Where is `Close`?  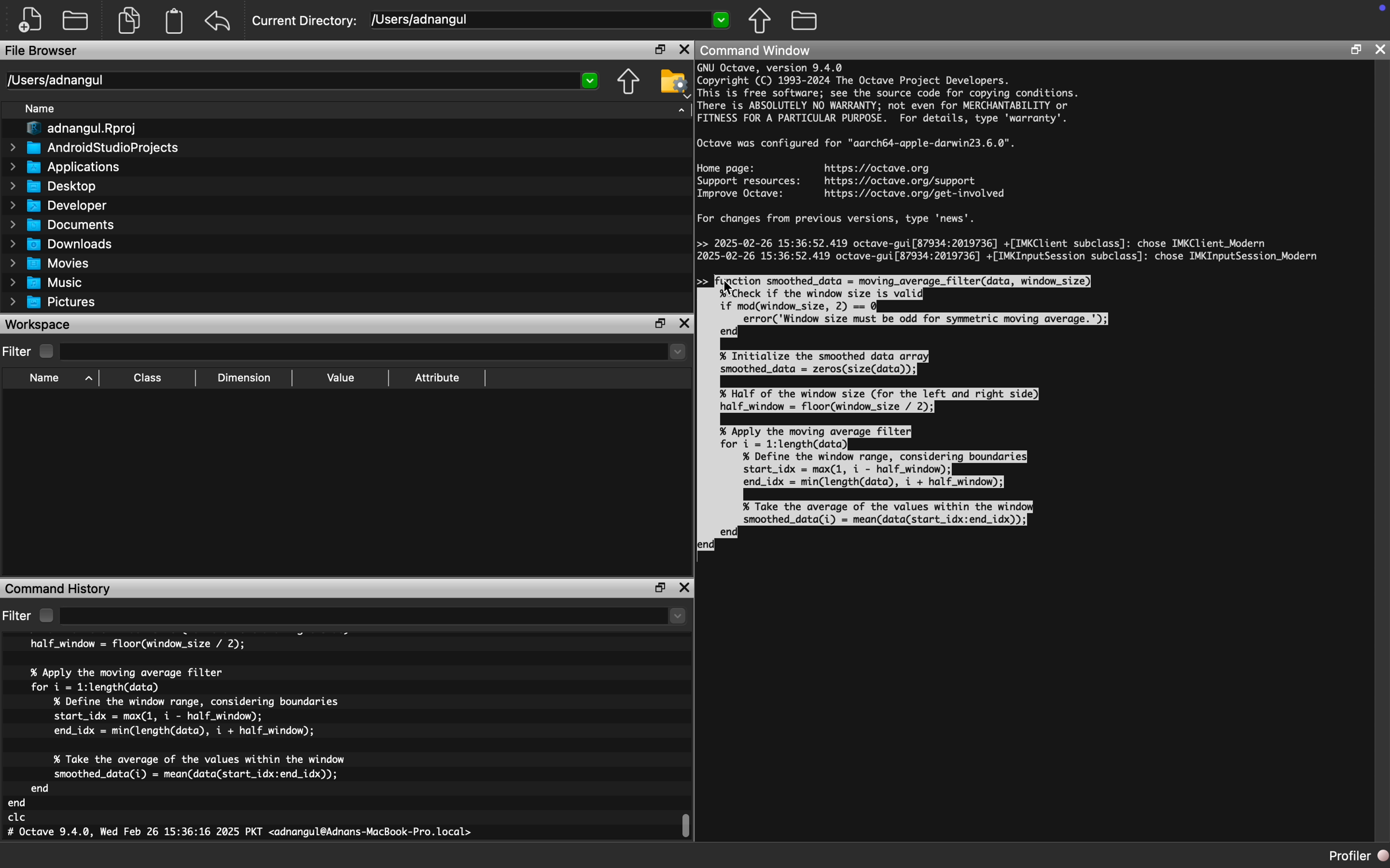
Close is located at coordinates (684, 588).